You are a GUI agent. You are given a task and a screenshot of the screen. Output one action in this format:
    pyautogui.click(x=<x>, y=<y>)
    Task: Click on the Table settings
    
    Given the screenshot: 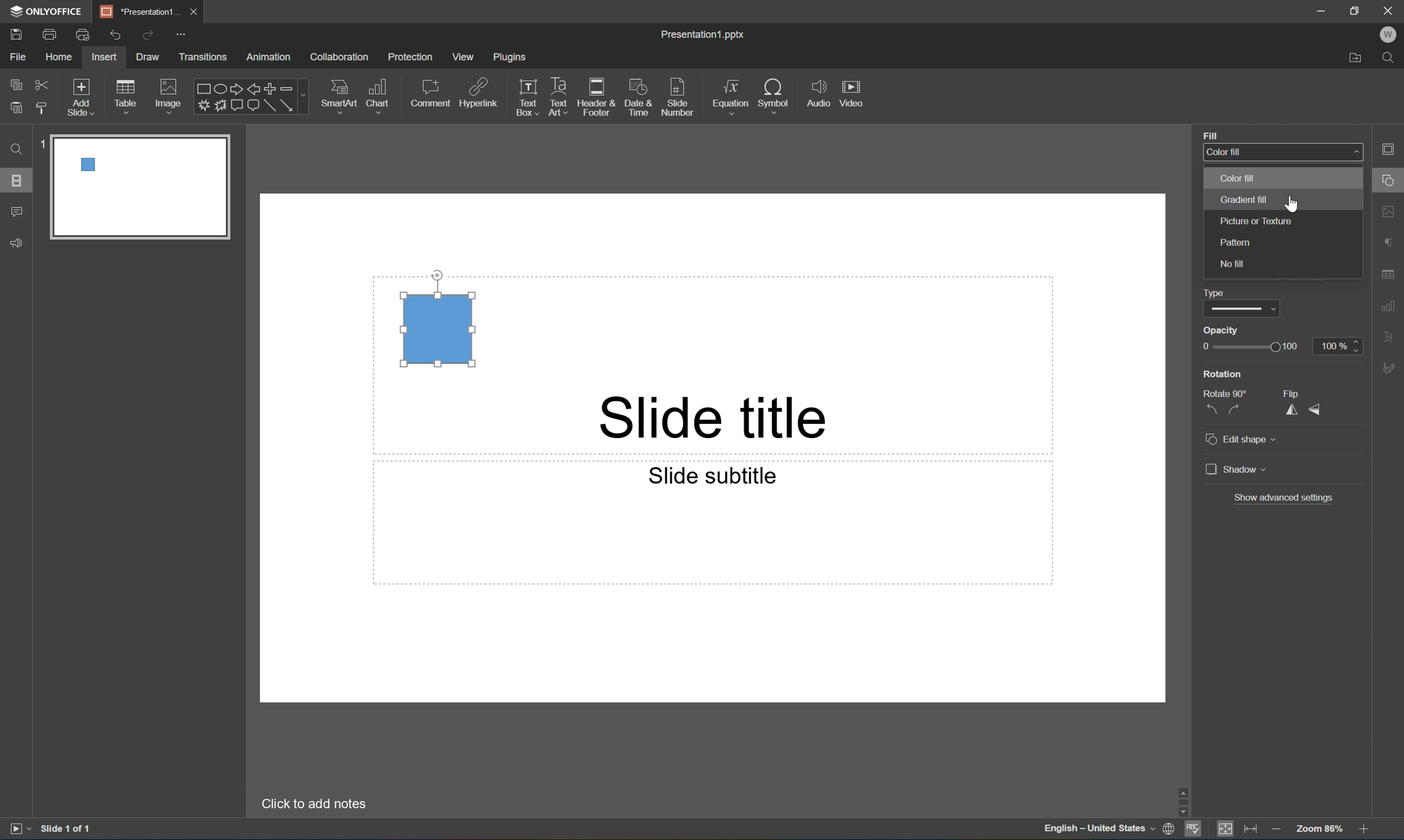 What is the action you would take?
    pyautogui.click(x=1391, y=275)
    